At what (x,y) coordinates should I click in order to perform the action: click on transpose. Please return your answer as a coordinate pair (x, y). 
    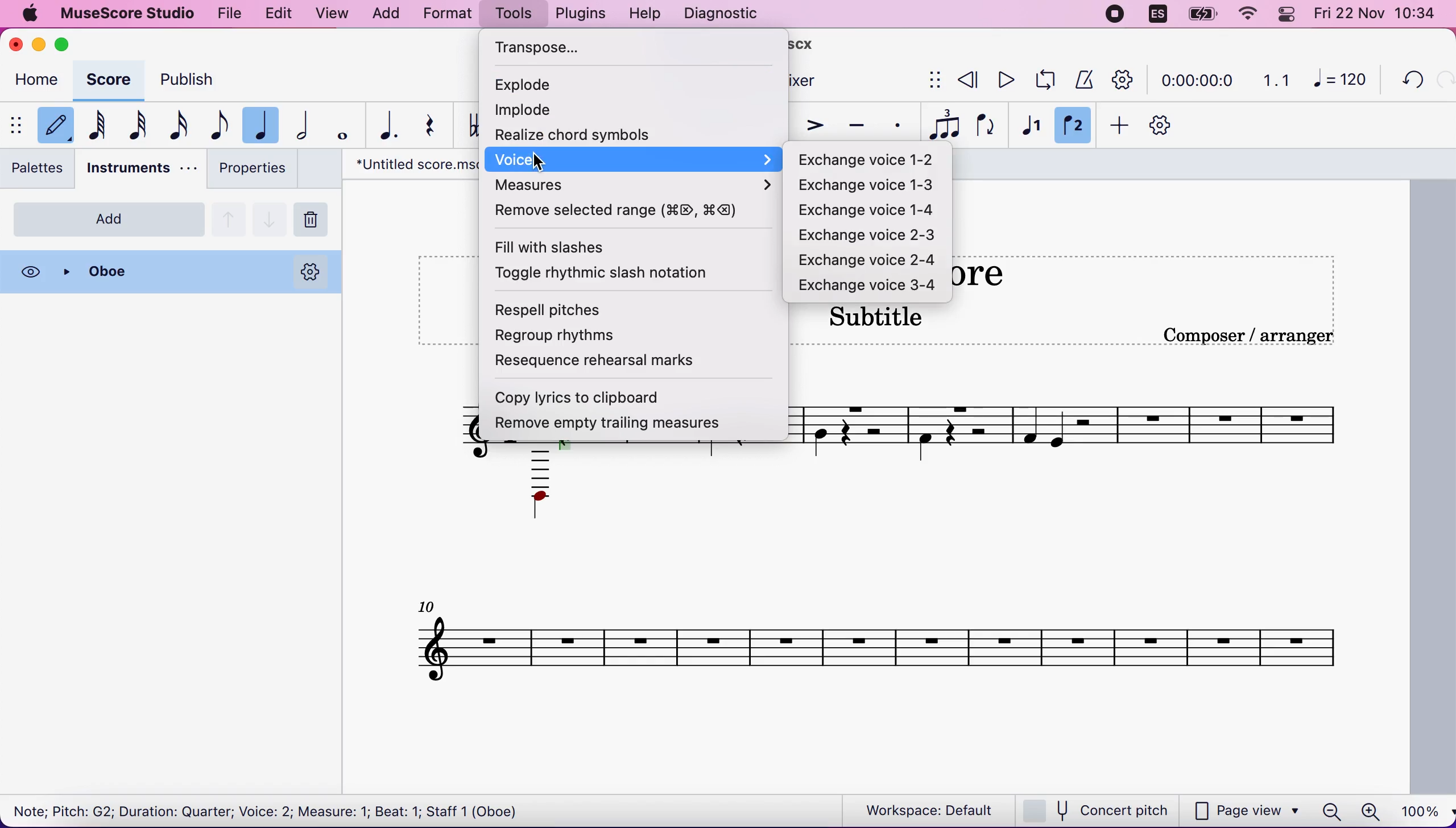
    Looking at the image, I should click on (599, 47).